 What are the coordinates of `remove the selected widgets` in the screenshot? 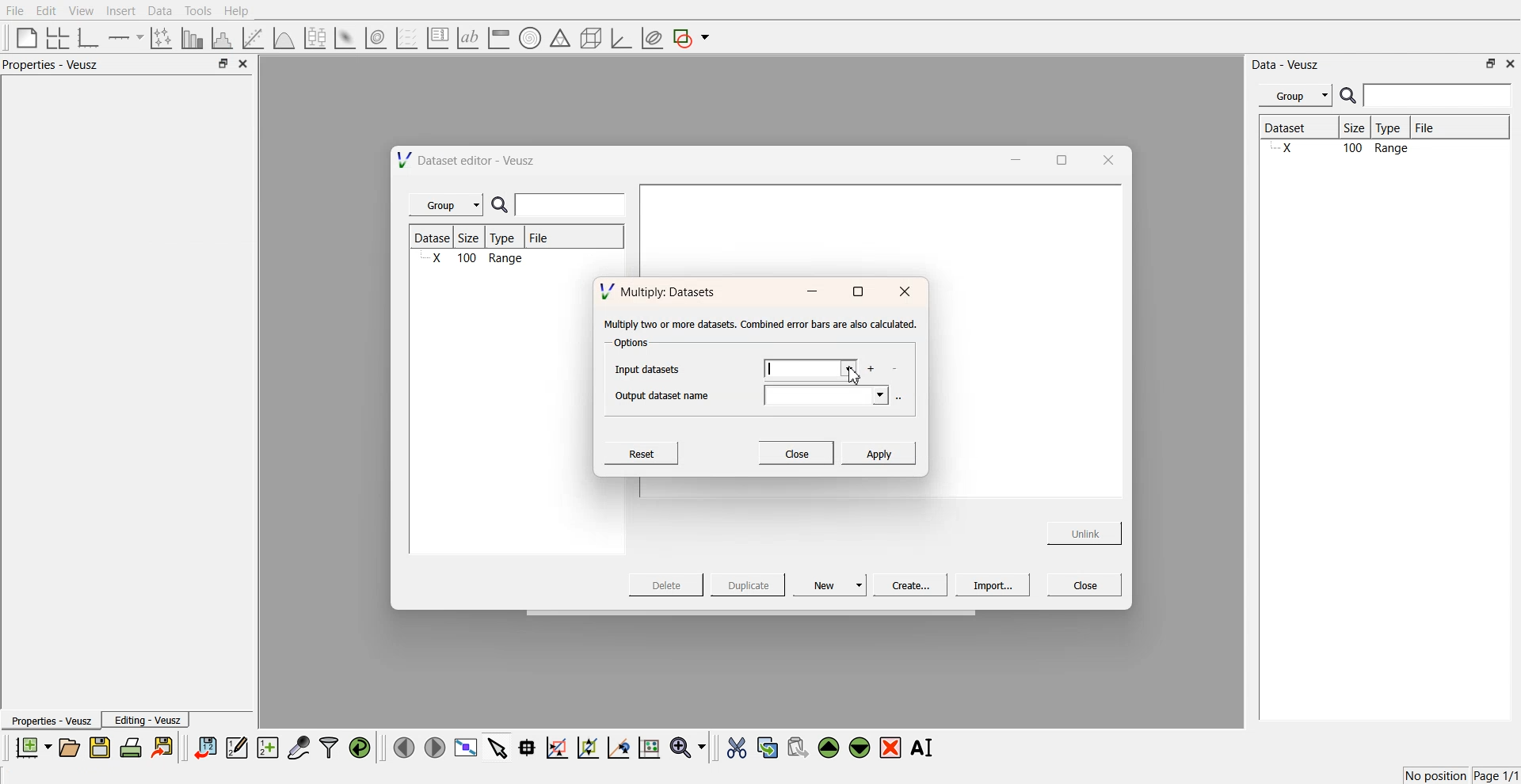 It's located at (892, 748).